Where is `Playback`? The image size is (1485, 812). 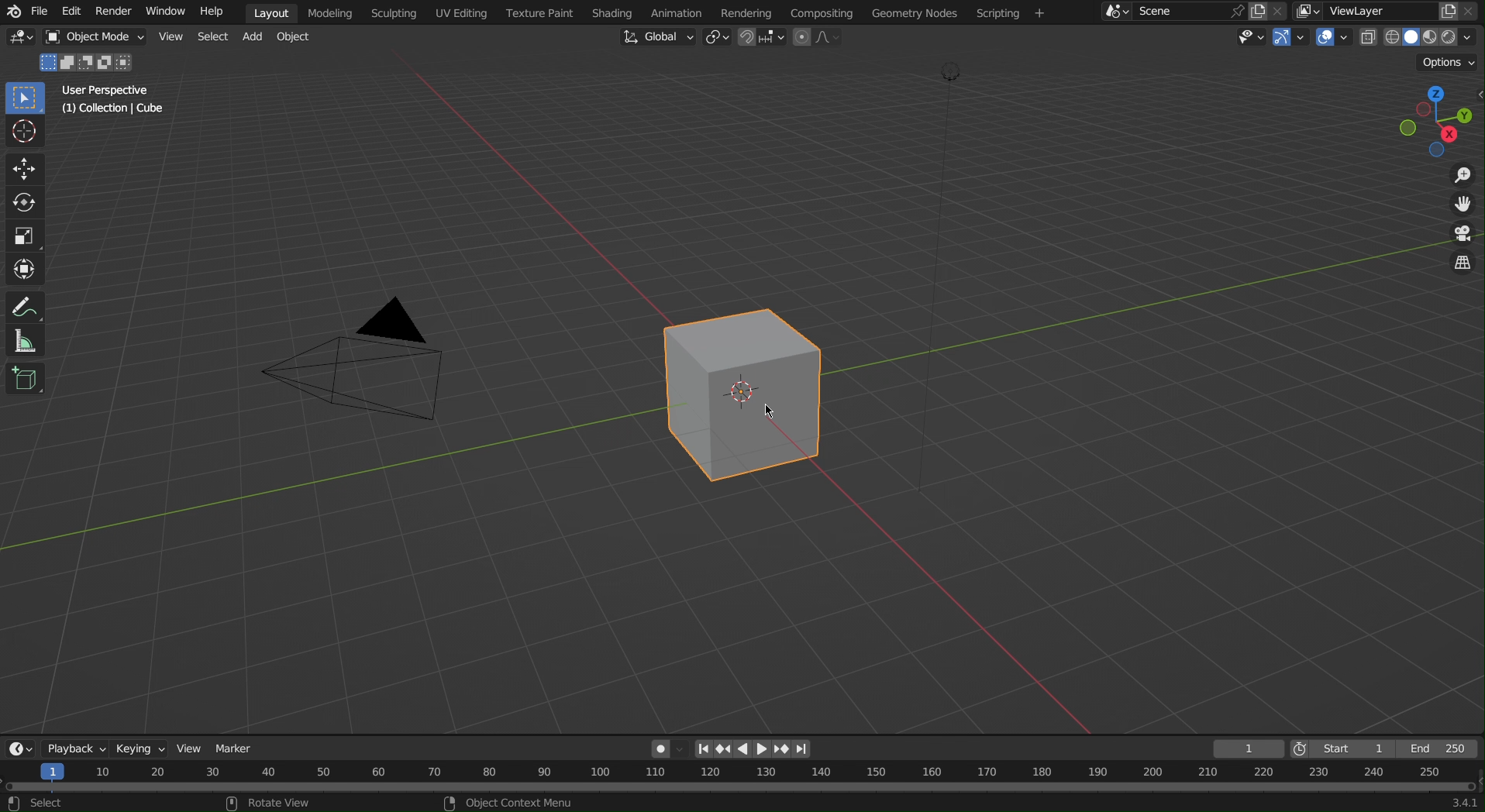
Playback is located at coordinates (78, 745).